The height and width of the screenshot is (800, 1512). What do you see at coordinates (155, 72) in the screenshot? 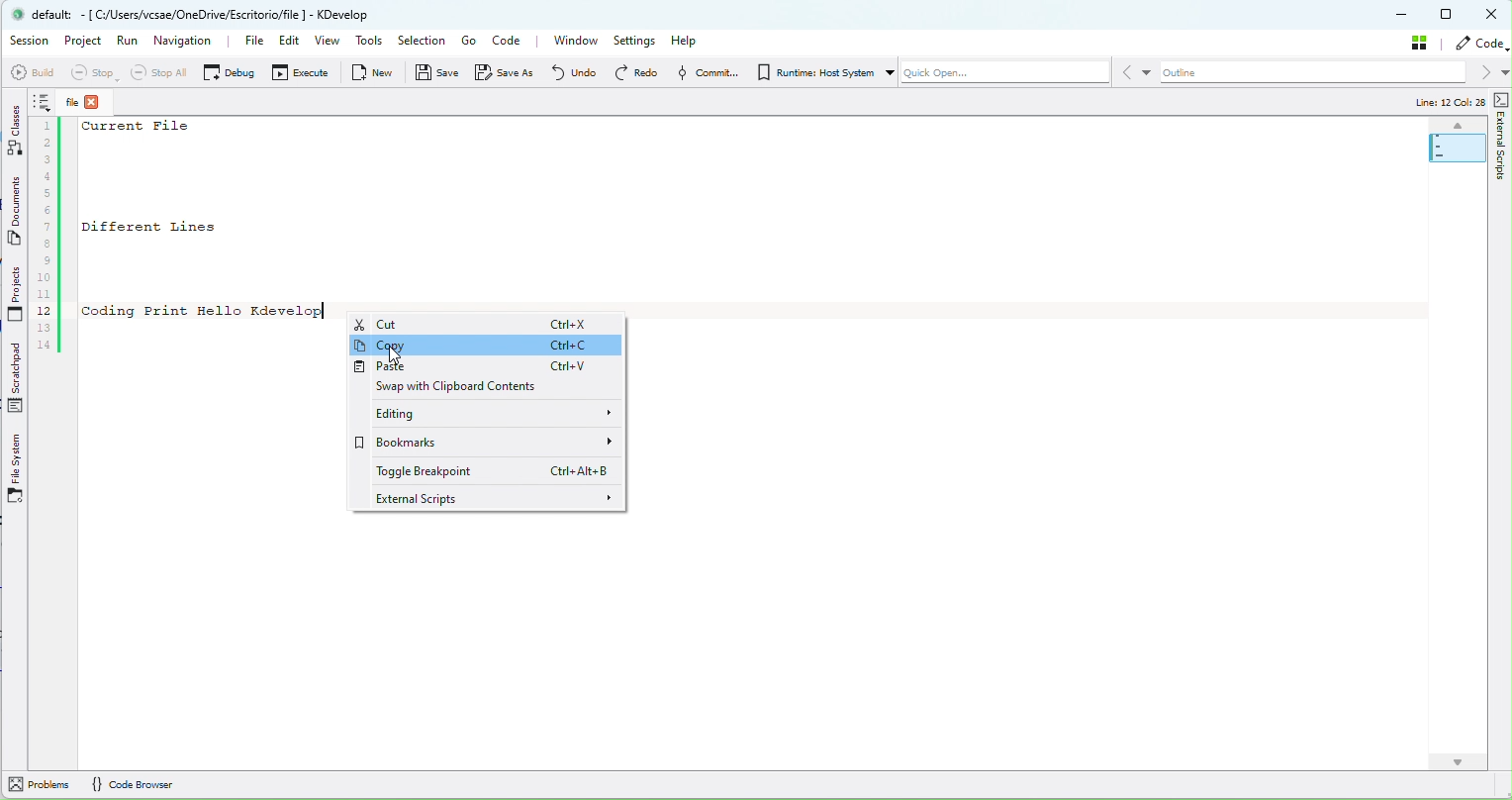
I see `Stop all` at bounding box center [155, 72].